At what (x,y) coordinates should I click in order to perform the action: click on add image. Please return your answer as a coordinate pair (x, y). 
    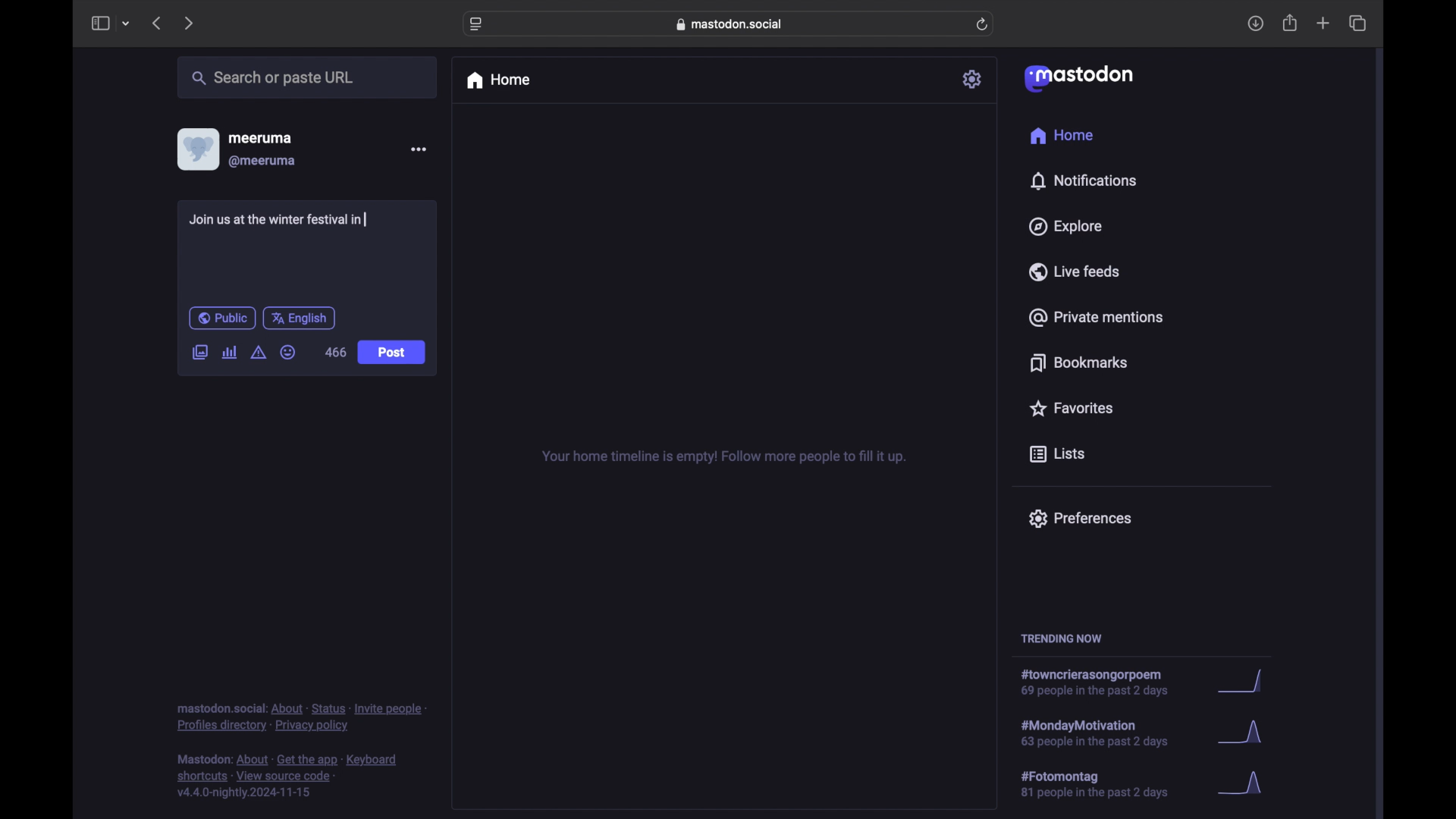
    Looking at the image, I should click on (199, 353).